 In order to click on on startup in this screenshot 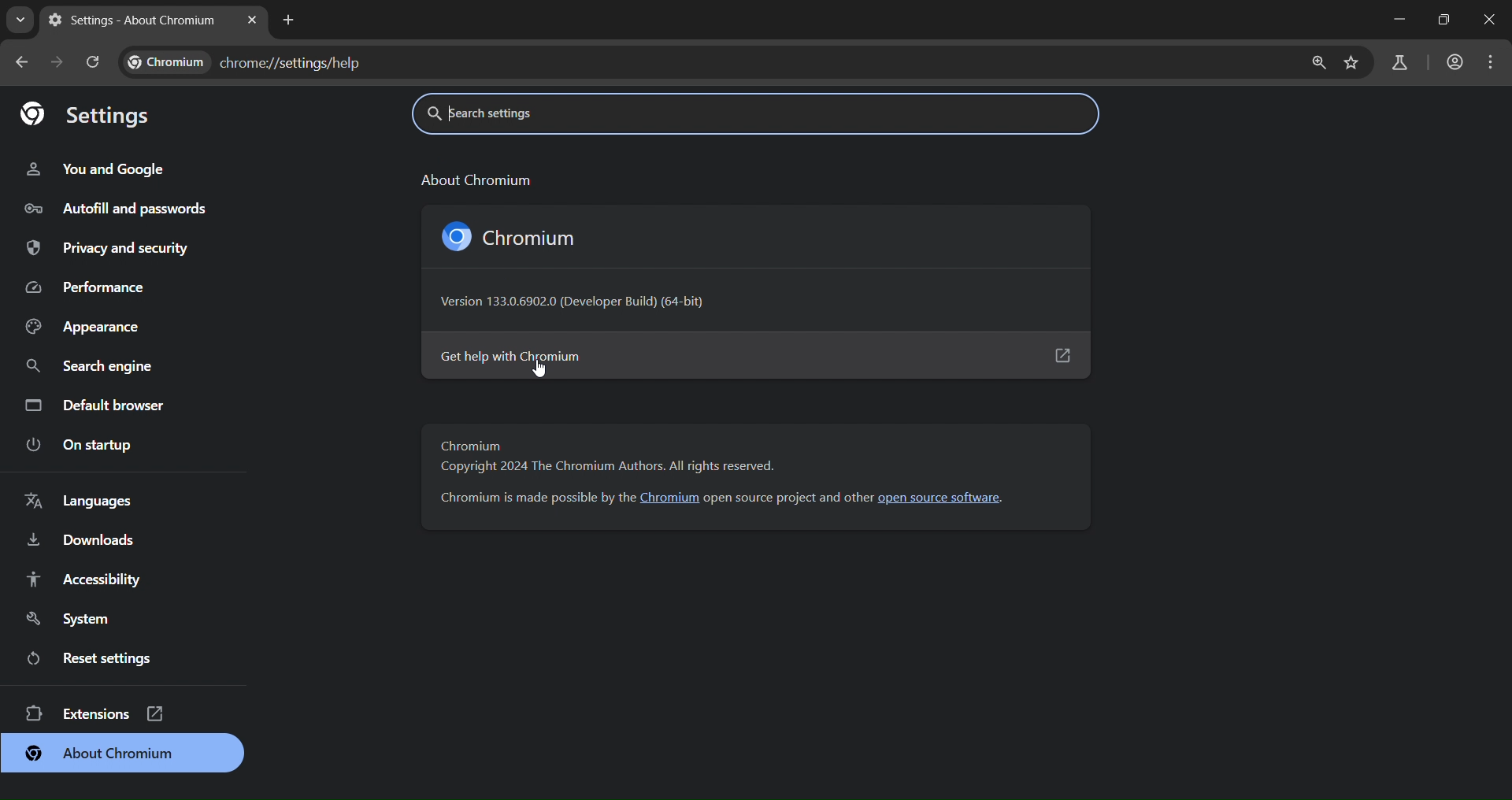, I will do `click(77, 443)`.